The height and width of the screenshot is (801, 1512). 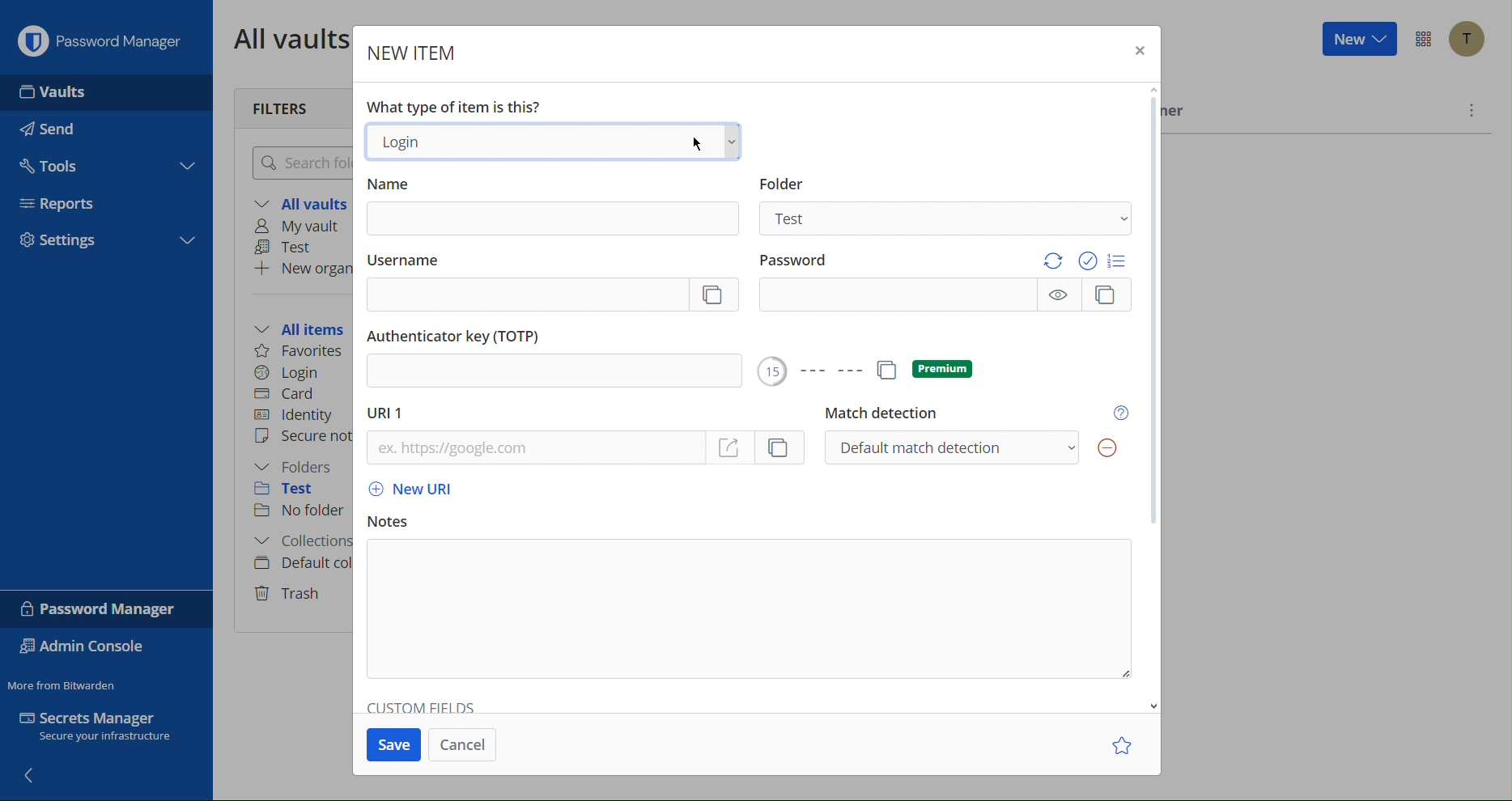 I want to click on All vaults, so click(x=287, y=37).